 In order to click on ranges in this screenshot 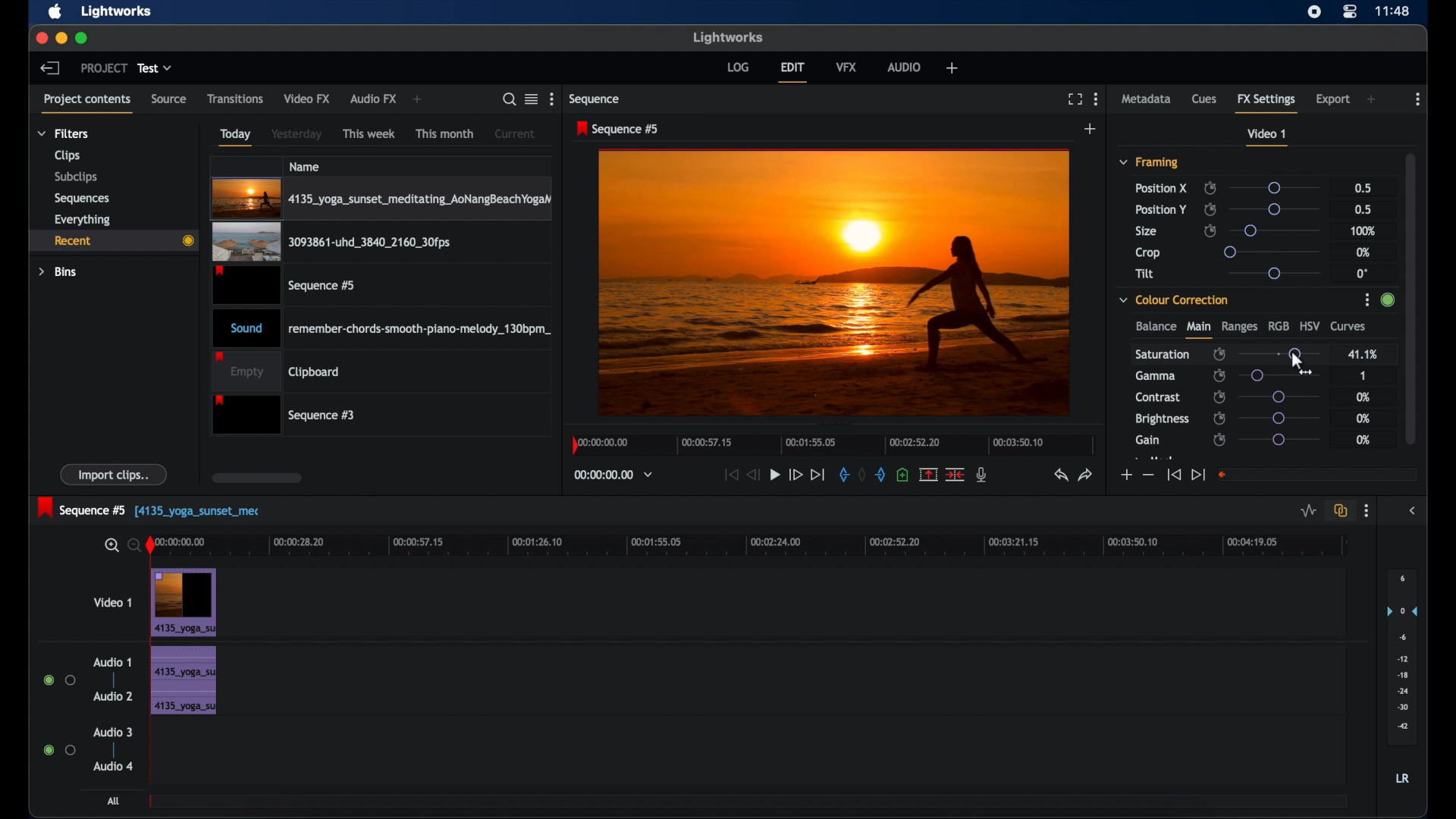, I will do `click(1239, 327)`.